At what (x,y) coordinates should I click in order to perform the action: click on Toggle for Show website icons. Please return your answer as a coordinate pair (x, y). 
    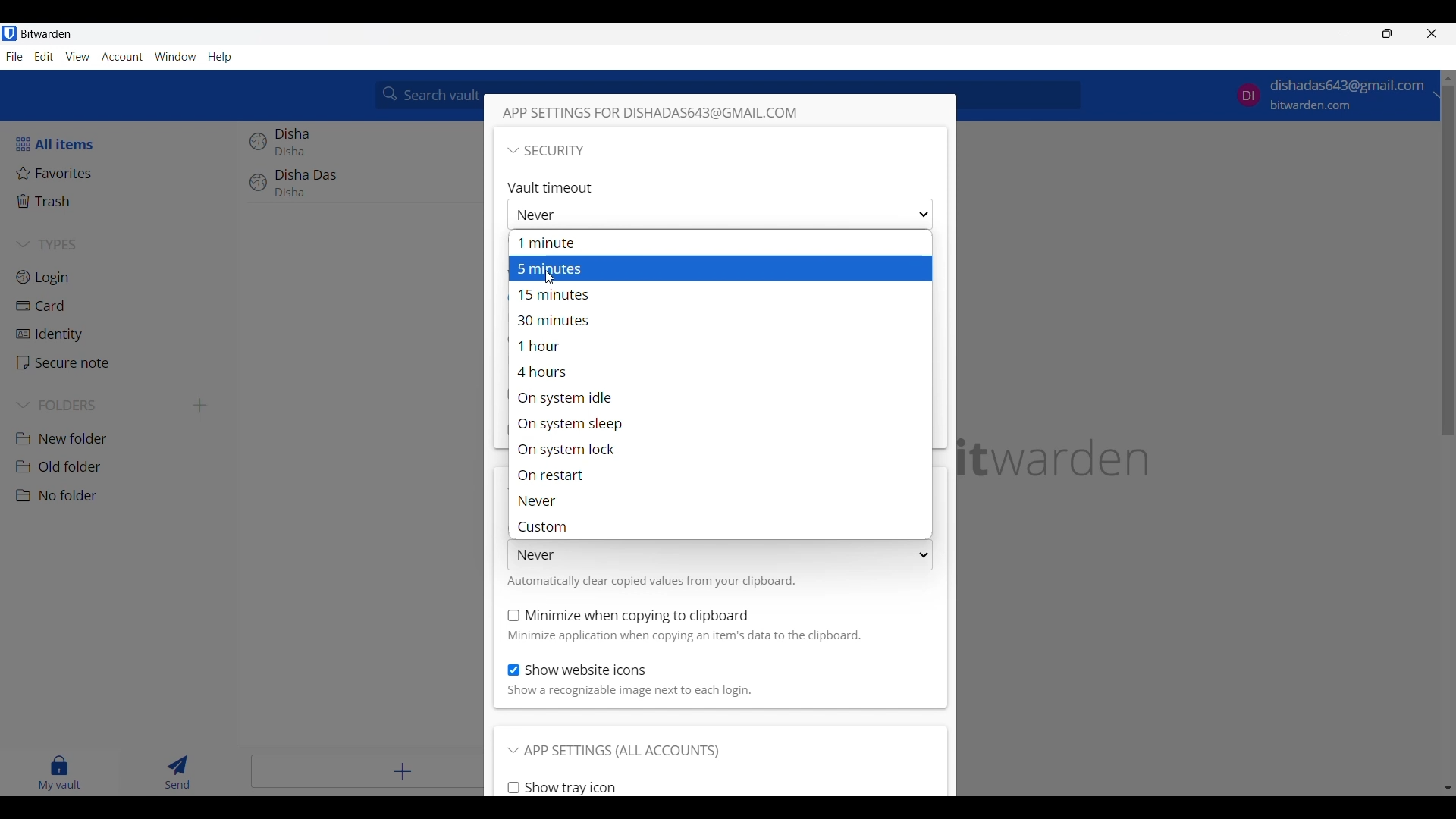
    Looking at the image, I should click on (578, 670).